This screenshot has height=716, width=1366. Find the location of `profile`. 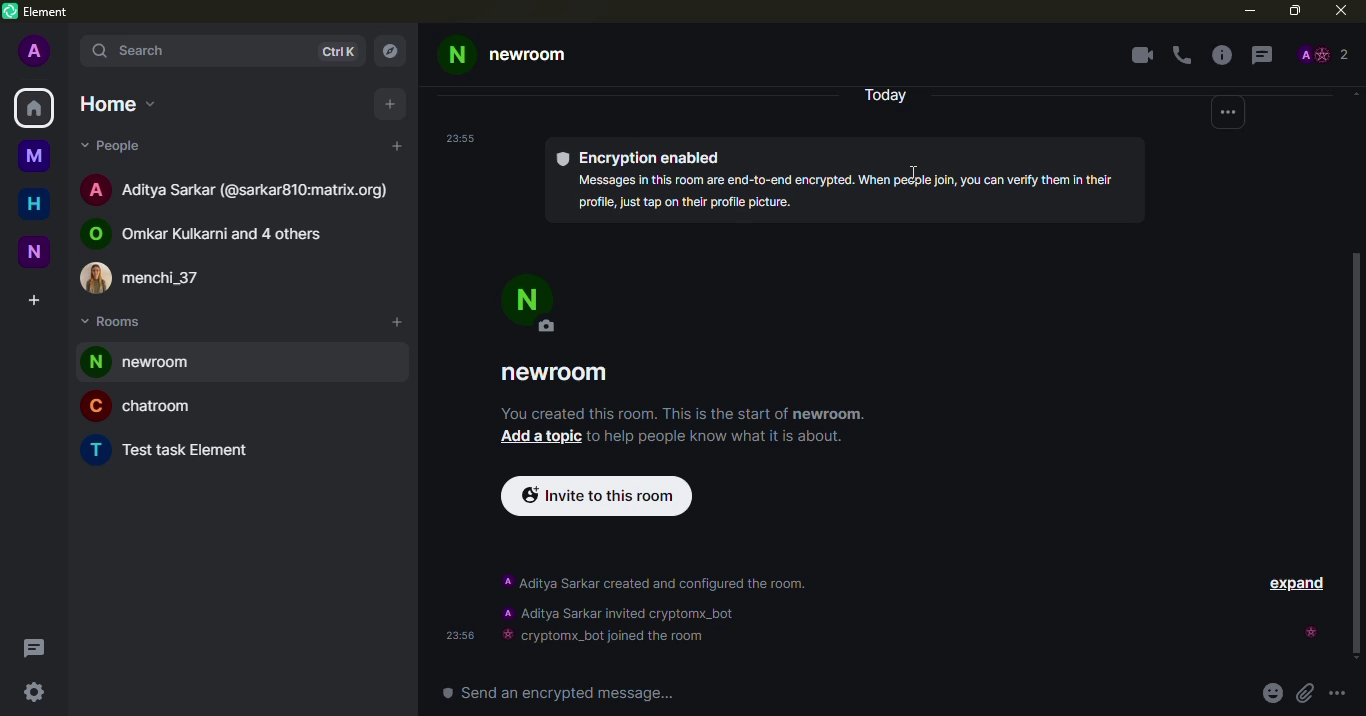

profile is located at coordinates (37, 53).